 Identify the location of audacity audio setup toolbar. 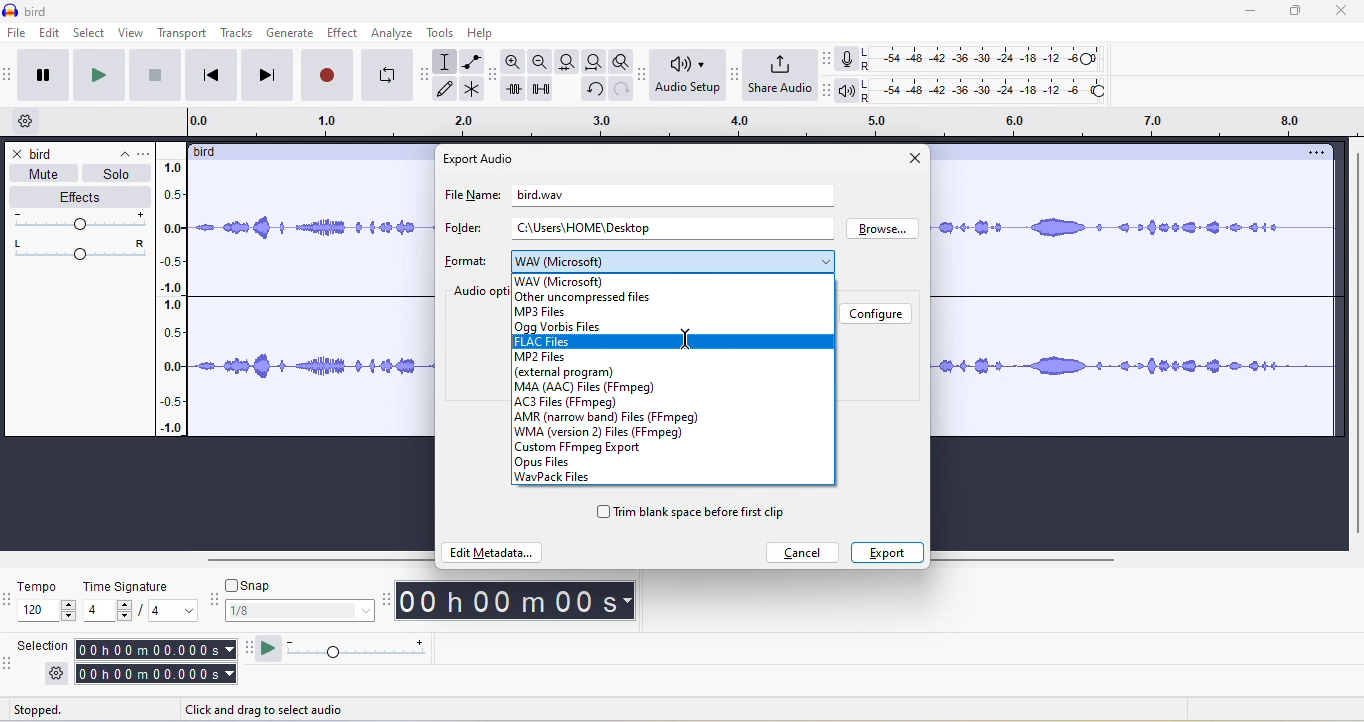
(640, 75).